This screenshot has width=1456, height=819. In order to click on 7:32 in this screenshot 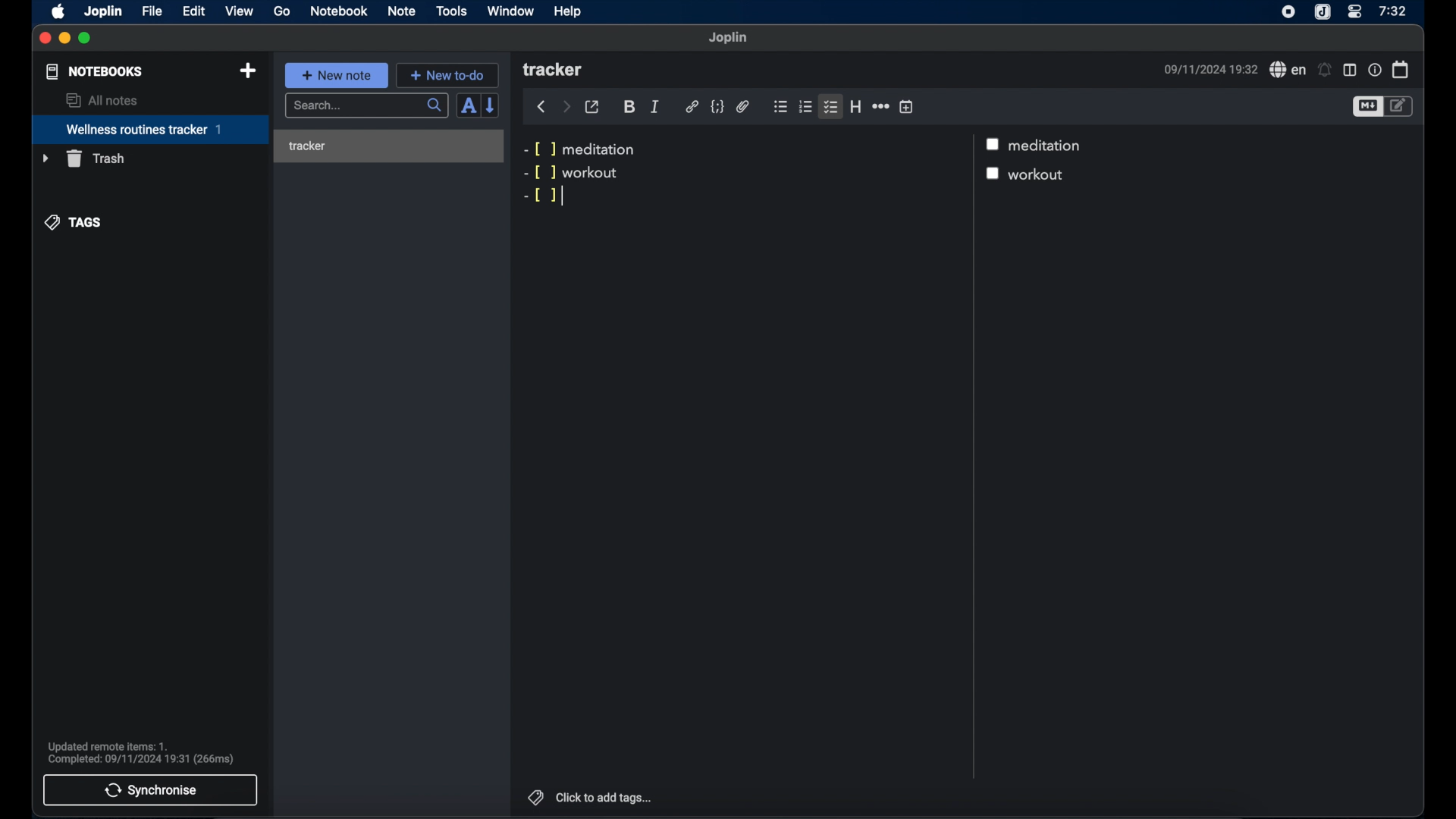, I will do `click(1392, 11)`.